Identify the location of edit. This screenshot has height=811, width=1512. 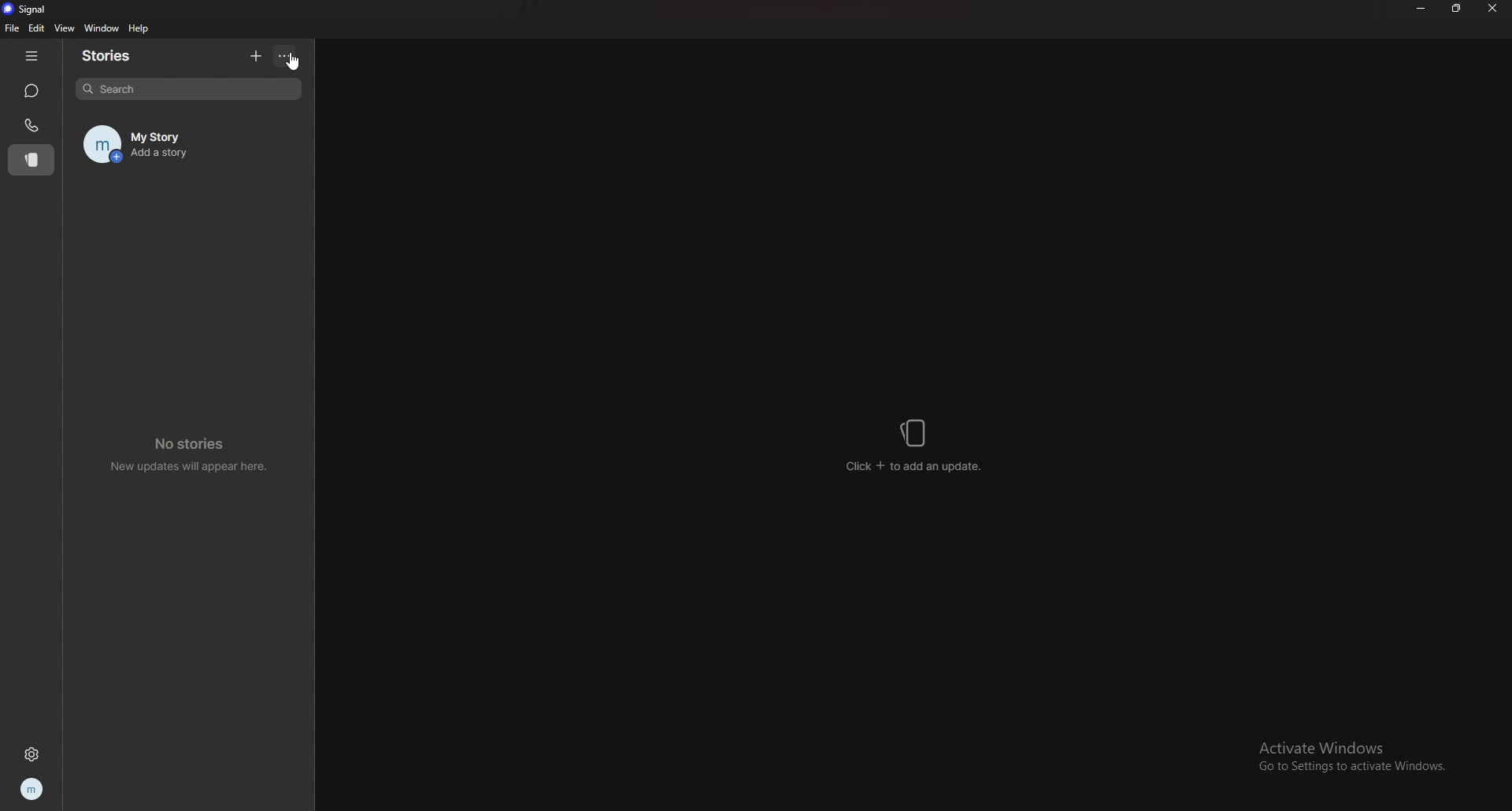
(38, 28).